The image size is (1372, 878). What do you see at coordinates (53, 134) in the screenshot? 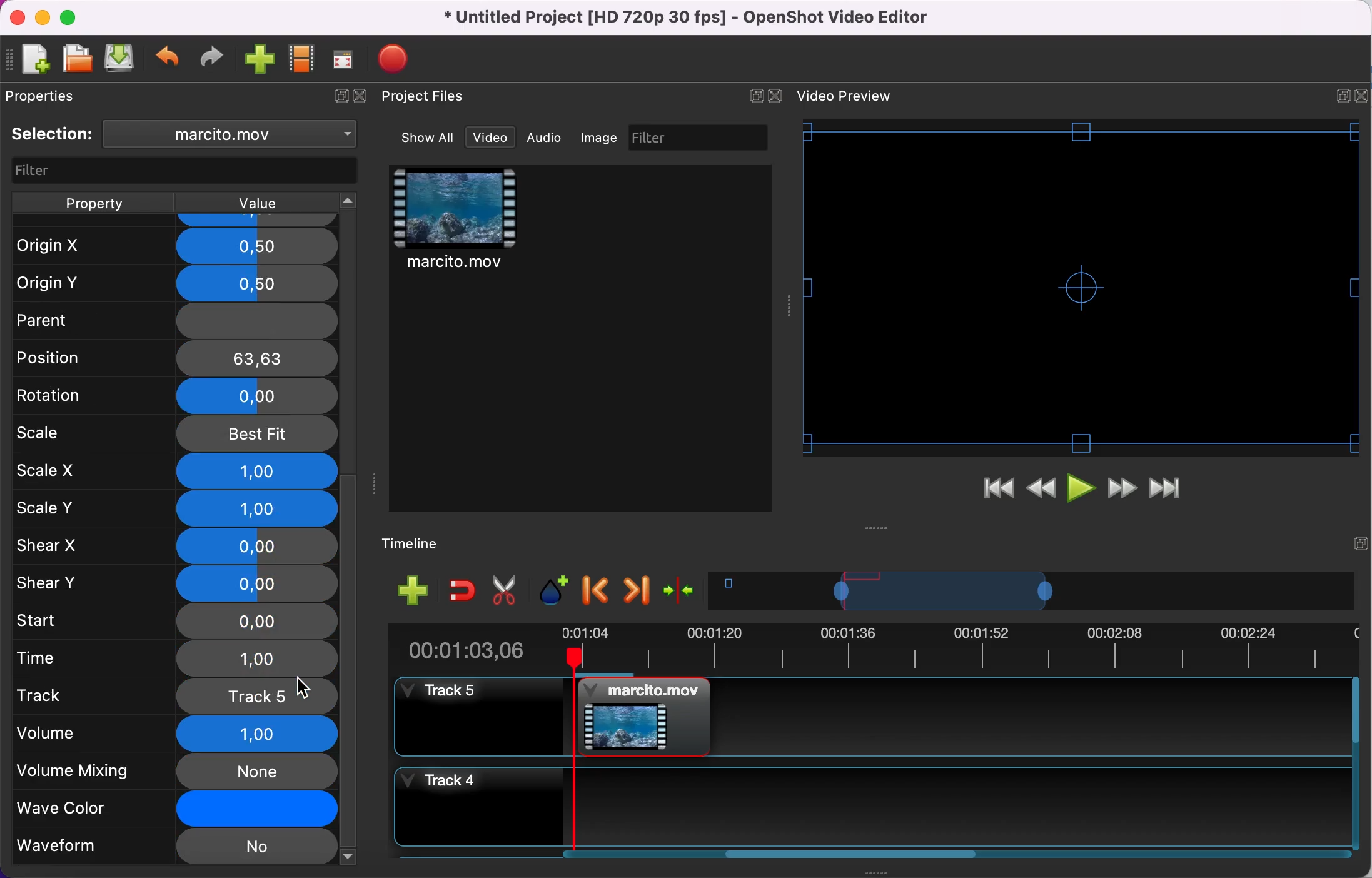
I see `selection` at bounding box center [53, 134].